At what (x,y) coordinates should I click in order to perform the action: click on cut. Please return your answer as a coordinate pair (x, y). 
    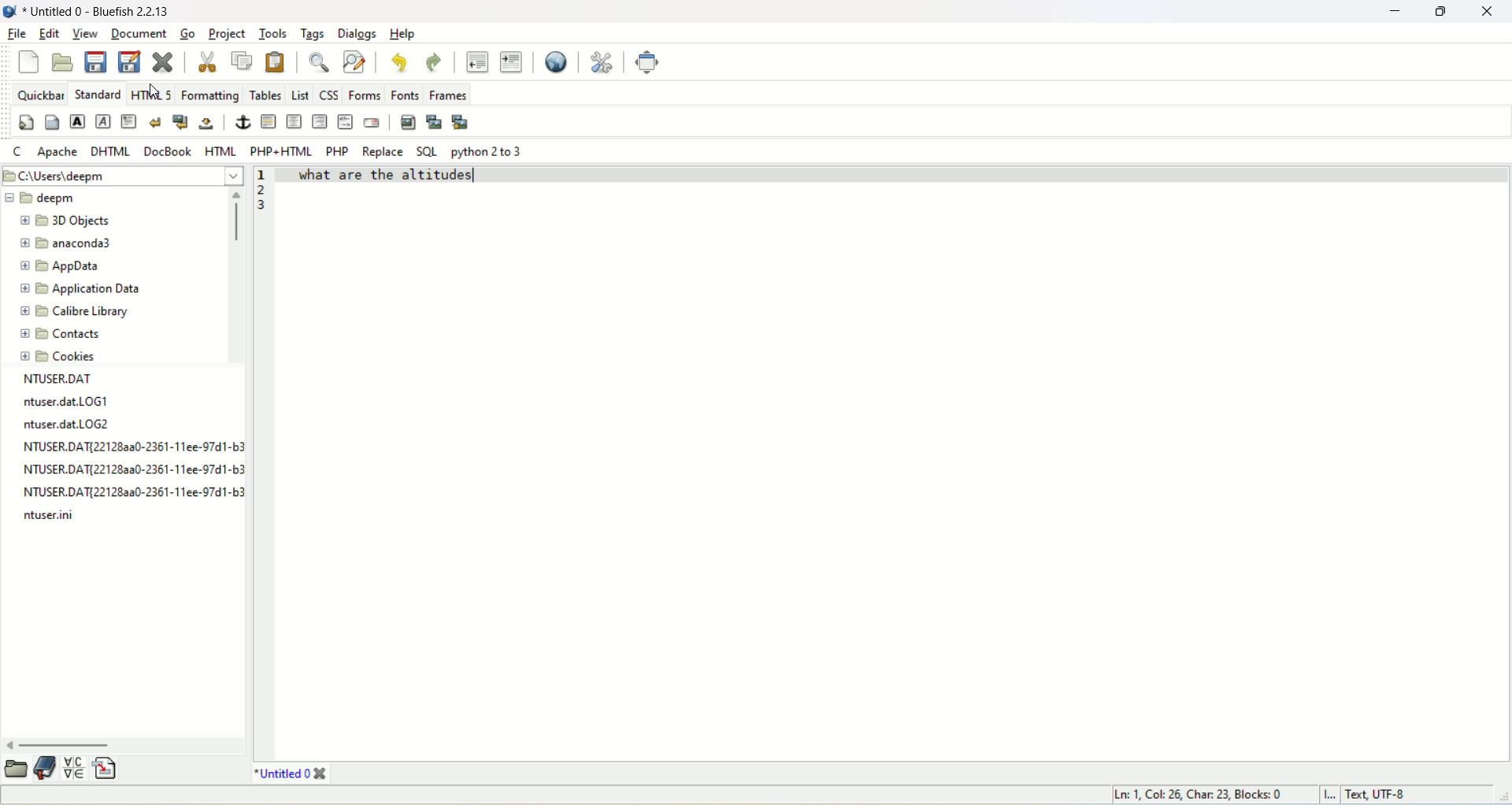
    Looking at the image, I should click on (209, 61).